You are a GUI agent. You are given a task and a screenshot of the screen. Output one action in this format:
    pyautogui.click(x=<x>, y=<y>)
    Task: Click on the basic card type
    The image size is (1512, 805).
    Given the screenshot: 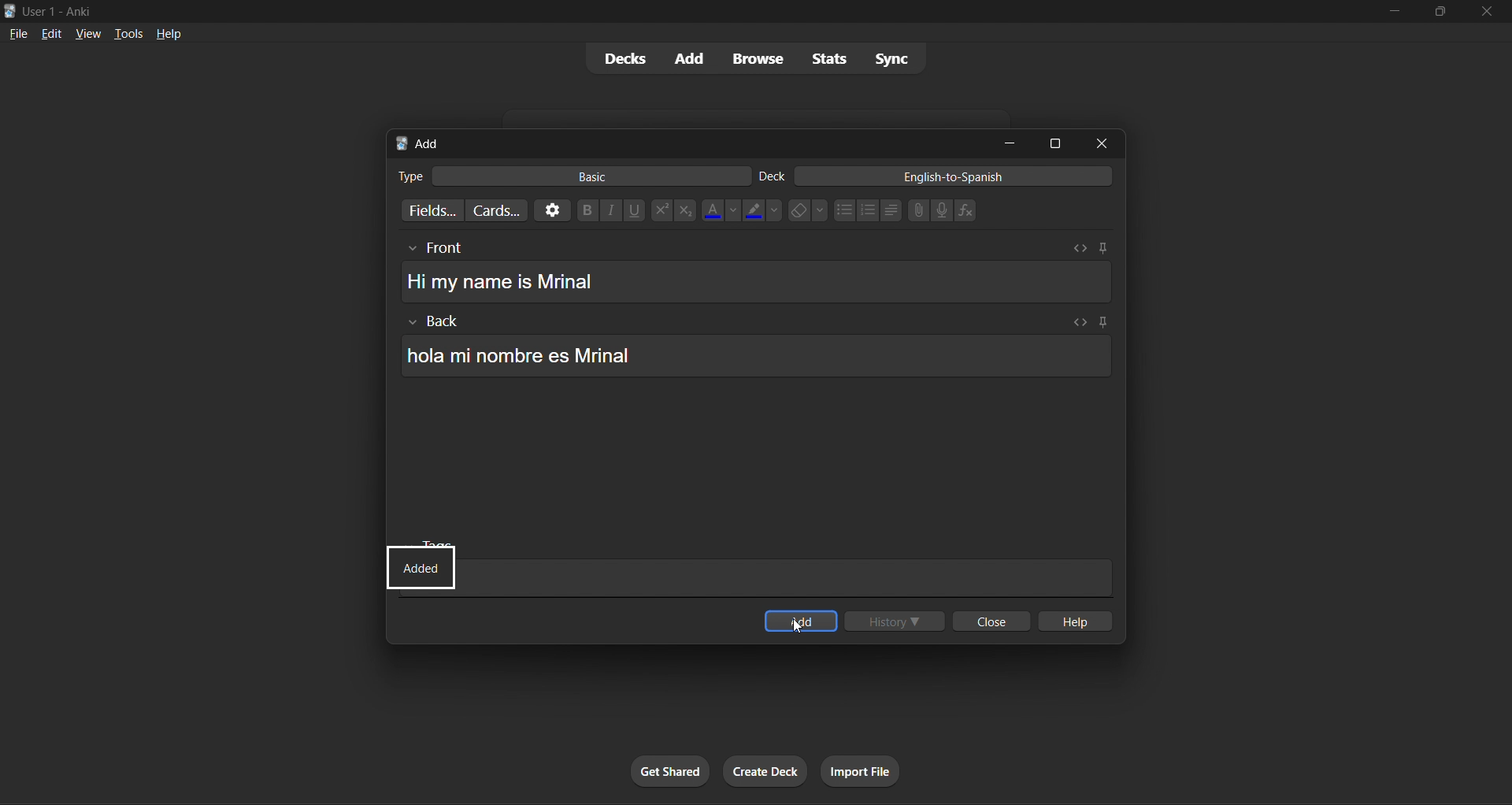 What is the action you would take?
    pyautogui.click(x=572, y=173)
    